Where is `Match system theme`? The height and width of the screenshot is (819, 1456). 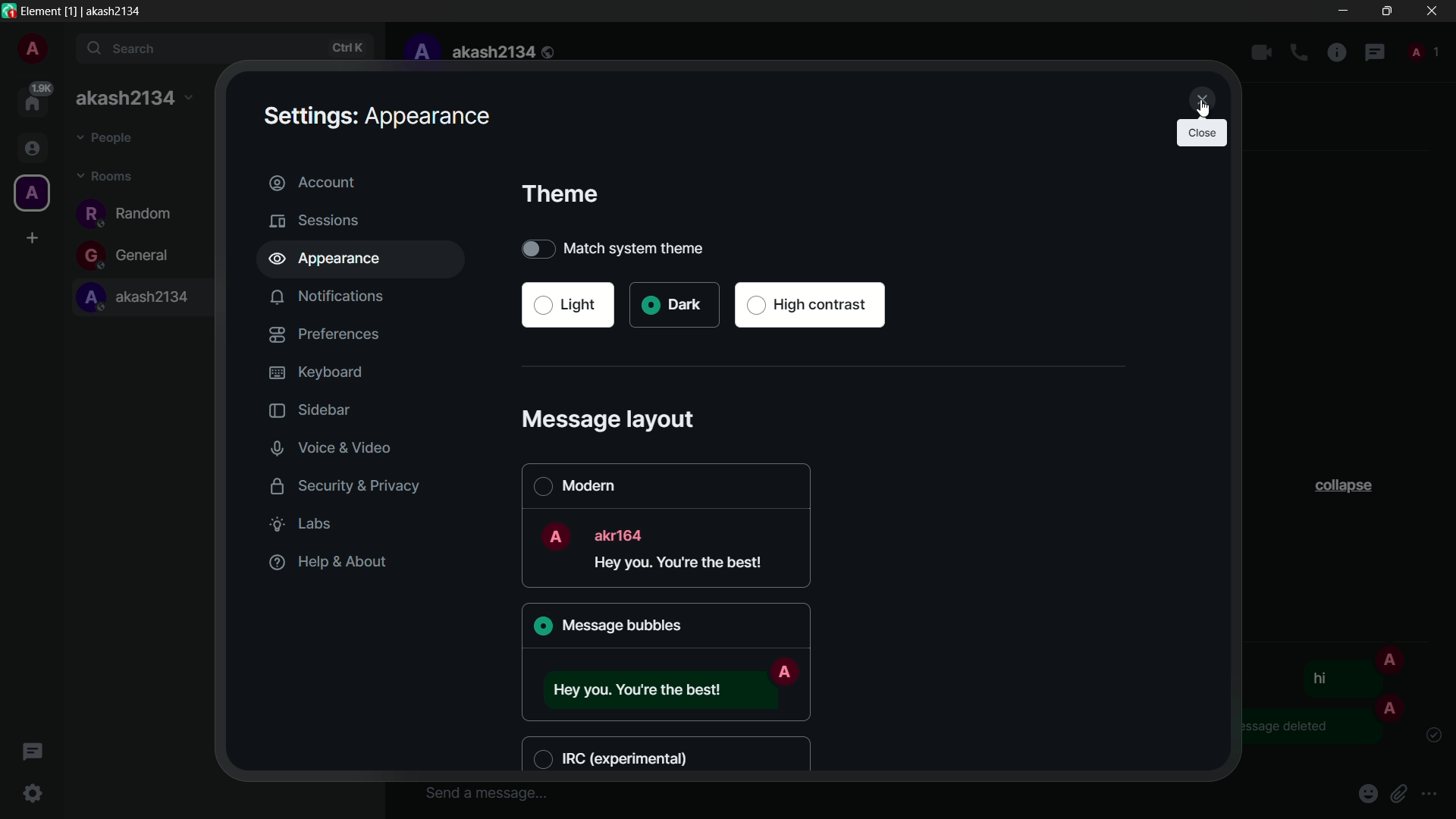 Match system theme is located at coordinates (657, 248).